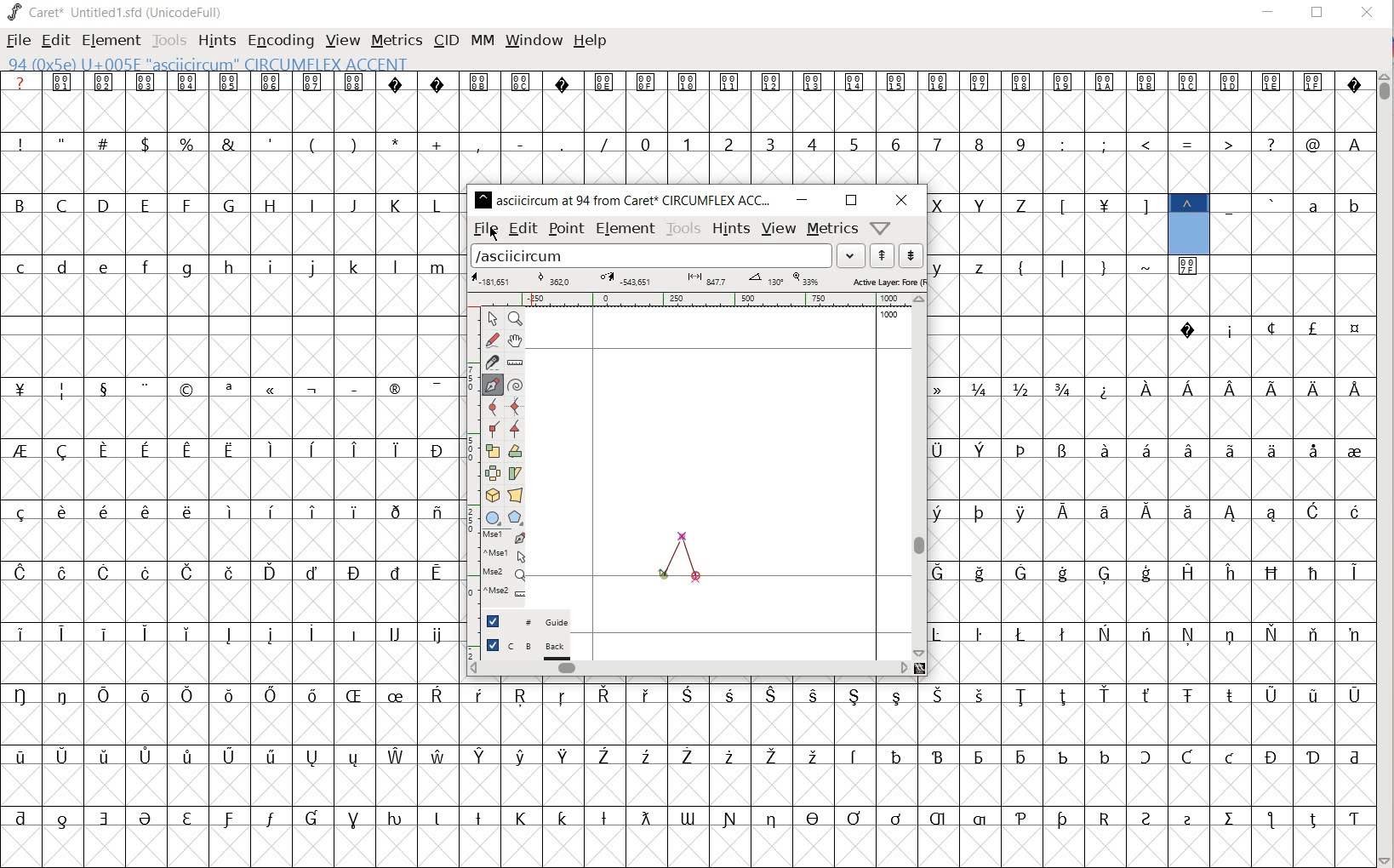 The width and height of the screenshot is (1394, 868). What do you see at coordinates (1317, 16) in the screenshot?
I see `RESTORE DOWN` at bounding box center [1317, 16].